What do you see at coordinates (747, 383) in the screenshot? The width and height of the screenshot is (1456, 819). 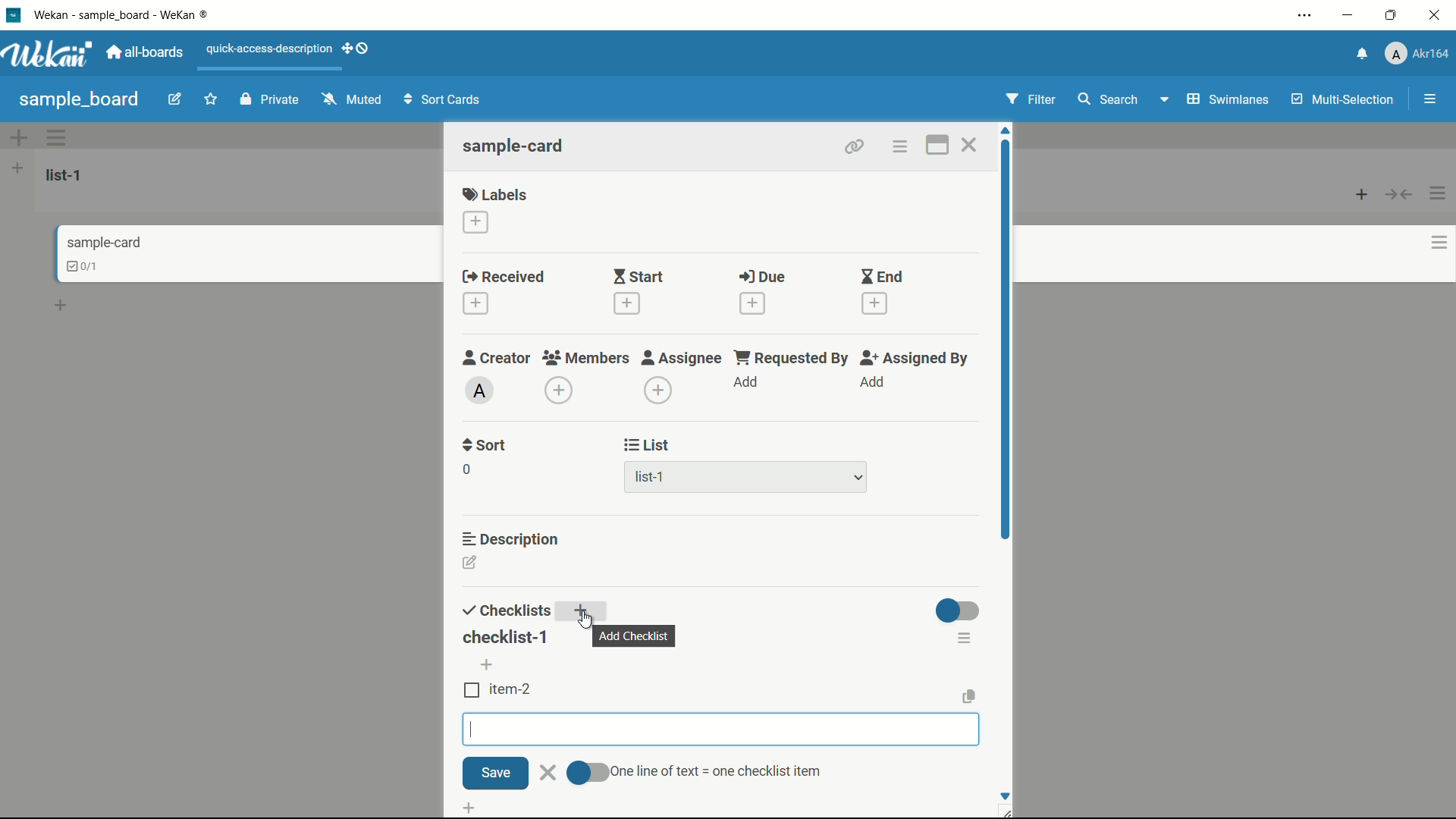 I see `add` at bounding box center [747, 383].